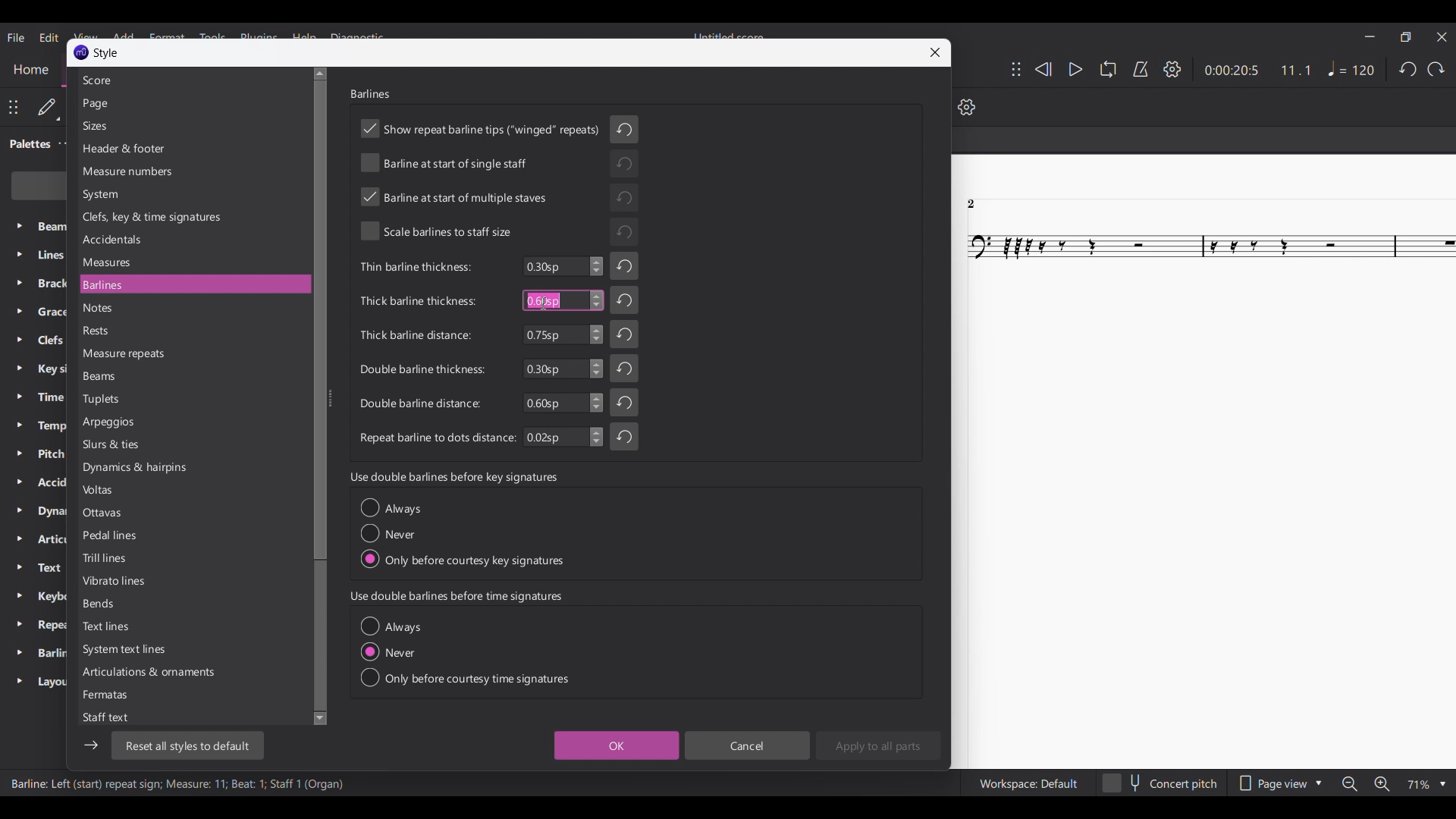 The height and width of the screenshot is (819, 1456). What do you see at coordinates (453, 477) in the screenshot?
I see `Section title` at bounding box center [453, 477].